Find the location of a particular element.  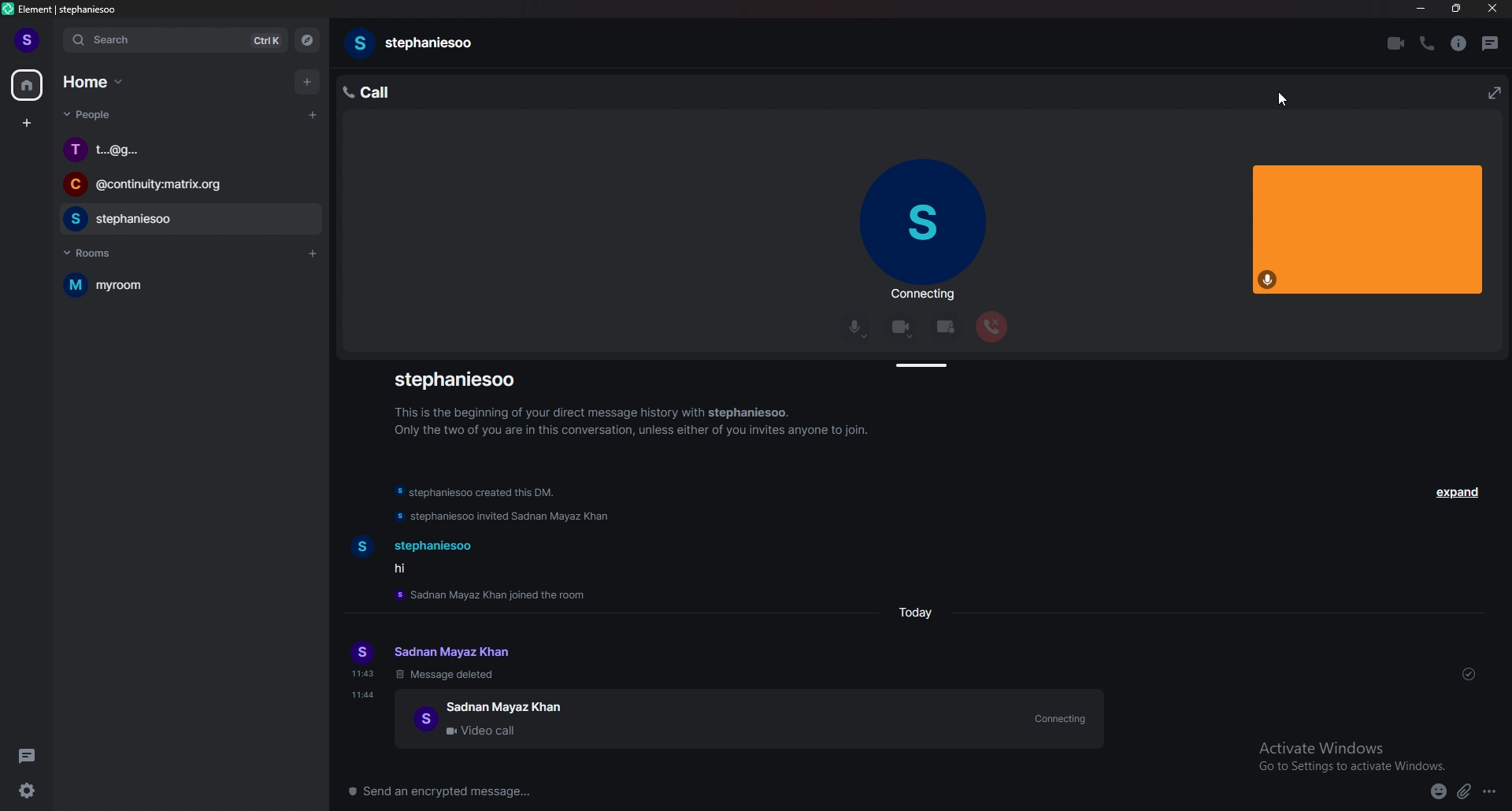

chat is located at coordinates (186, 220).